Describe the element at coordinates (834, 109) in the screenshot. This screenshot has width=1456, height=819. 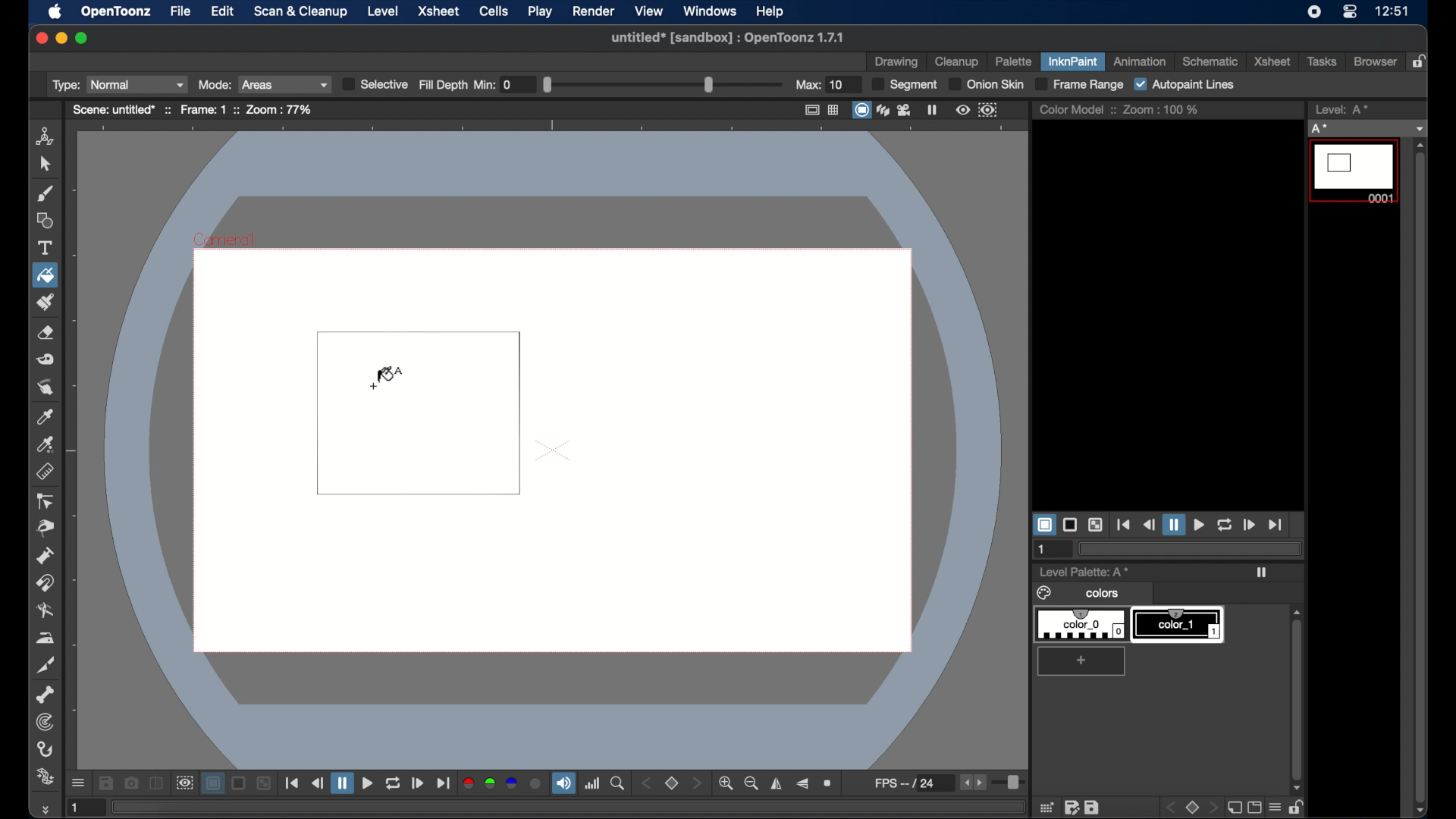
I see `field guide` at that location.